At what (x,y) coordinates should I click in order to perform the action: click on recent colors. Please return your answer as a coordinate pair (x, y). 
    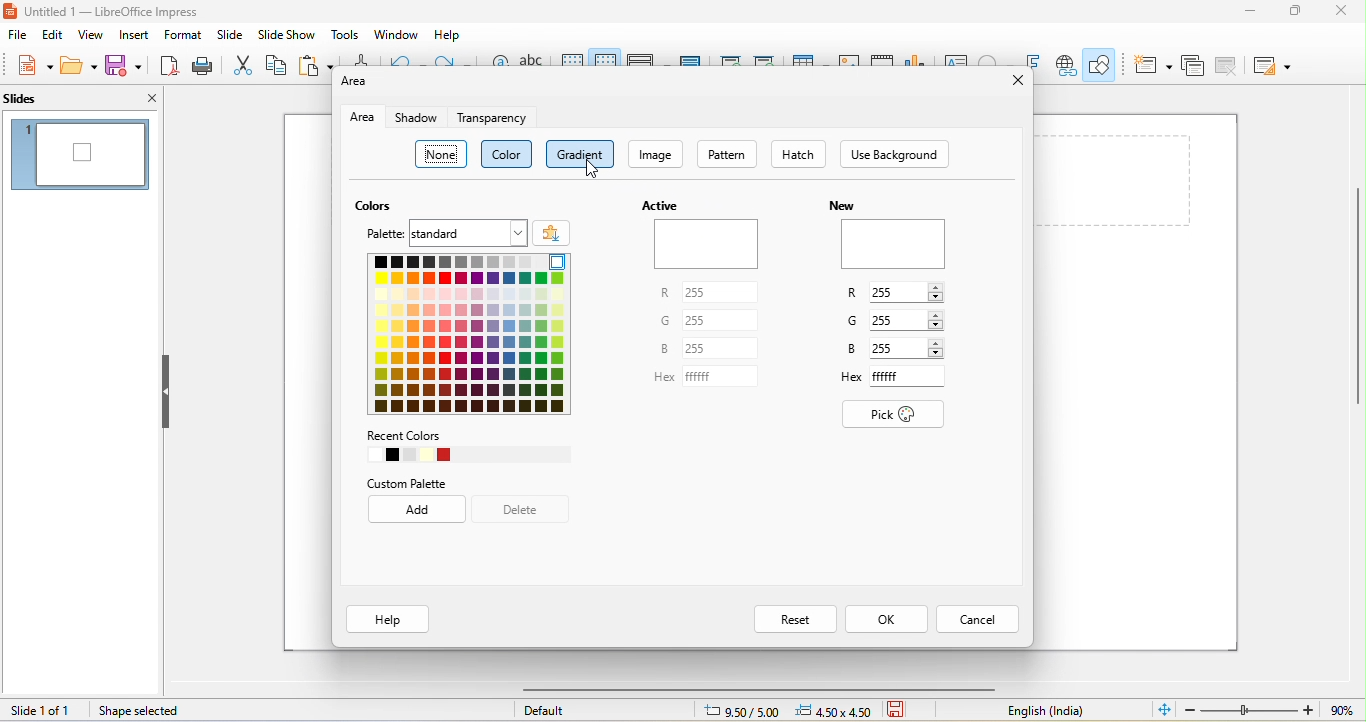
    Looking at the image, I should click on (406, 435).